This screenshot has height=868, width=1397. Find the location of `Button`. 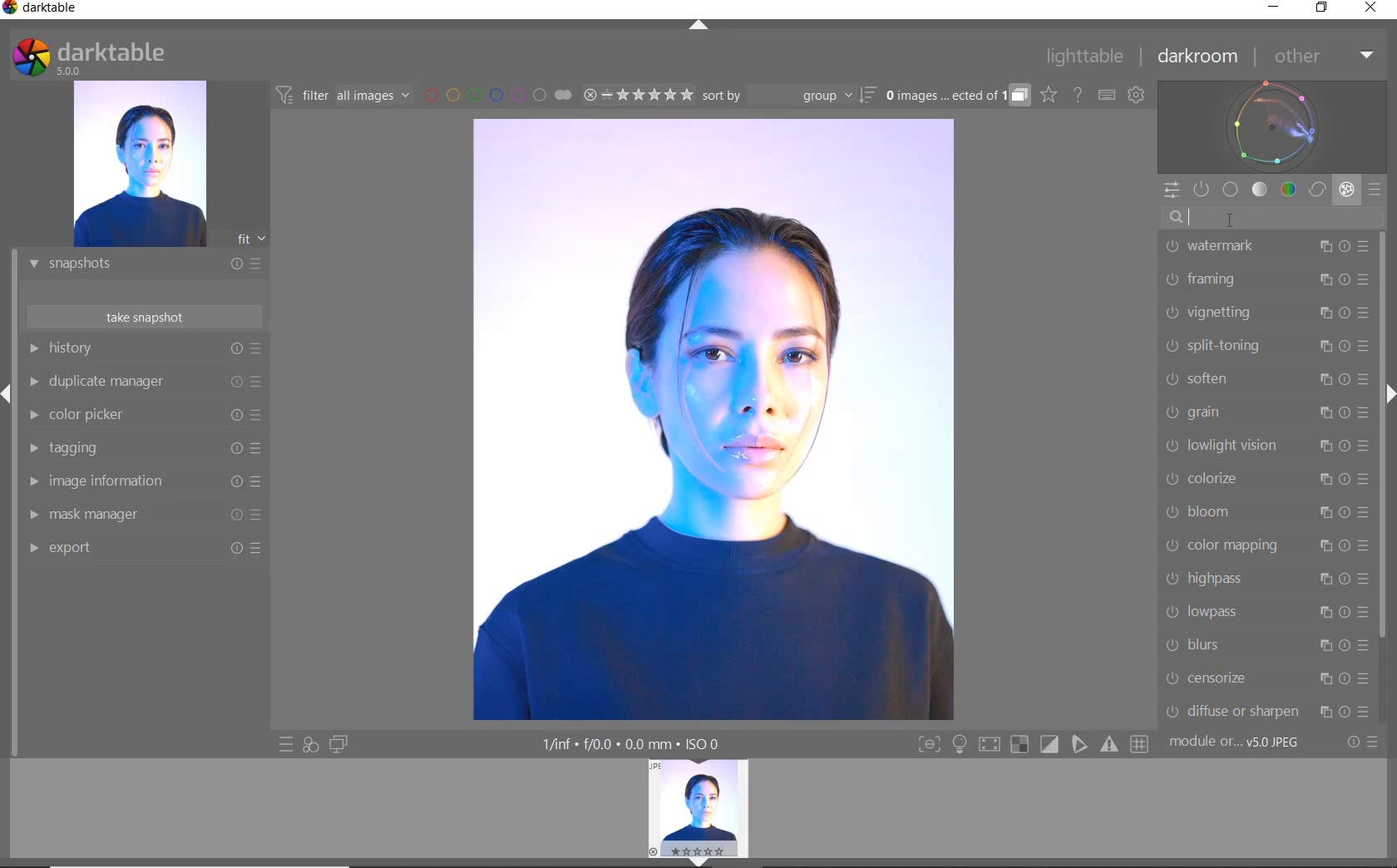

Button is located at coordinates (1050, 745).